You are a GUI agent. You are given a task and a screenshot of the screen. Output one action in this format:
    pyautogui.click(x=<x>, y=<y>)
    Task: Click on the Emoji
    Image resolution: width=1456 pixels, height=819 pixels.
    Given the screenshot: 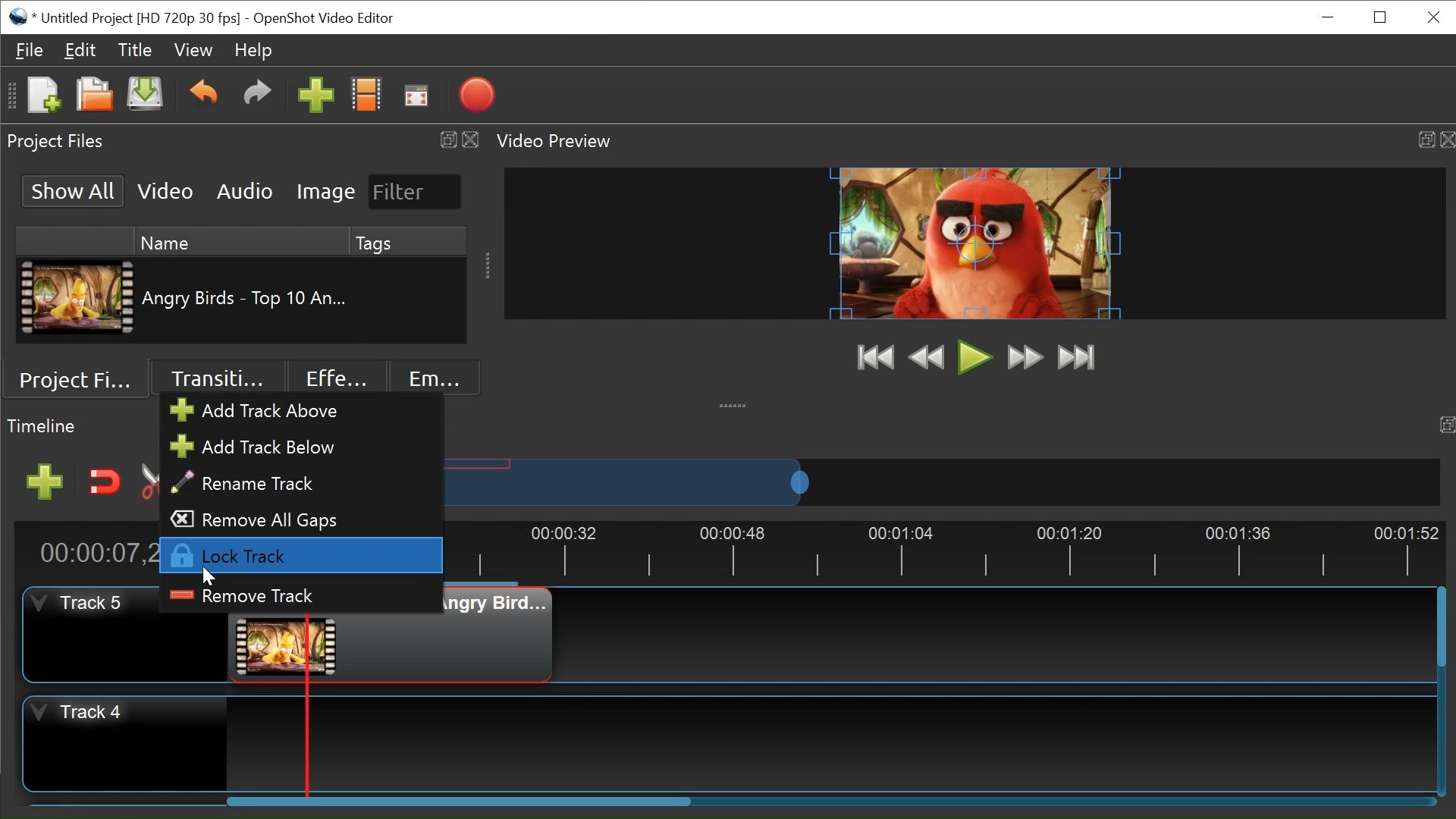 What is the action you would take?
    pyautogui.click(x=430, y=378)
    